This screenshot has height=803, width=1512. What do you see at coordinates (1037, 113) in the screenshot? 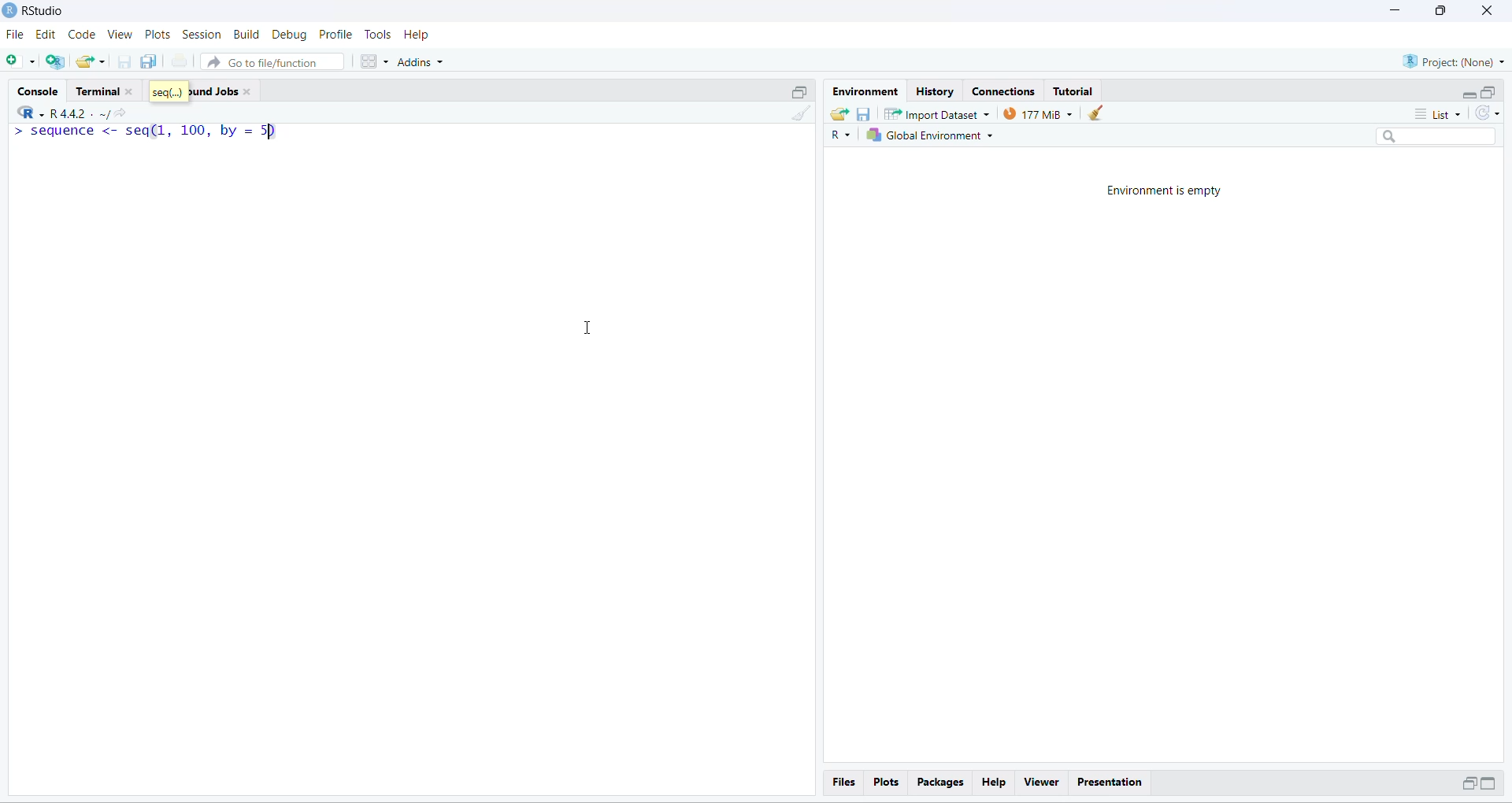
I see `143 MiB` at bounding box center [1037, 113].